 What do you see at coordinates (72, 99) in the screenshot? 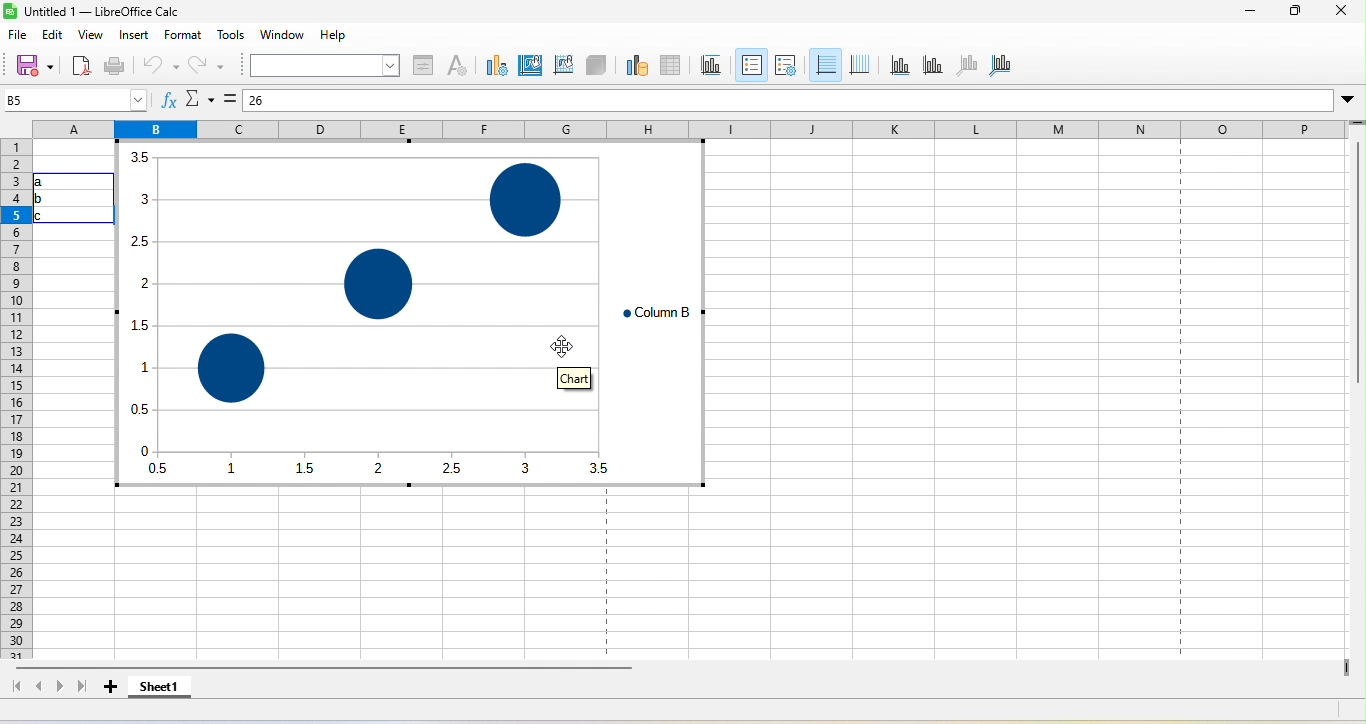
I see `name box` at bounding box center [72, 99].